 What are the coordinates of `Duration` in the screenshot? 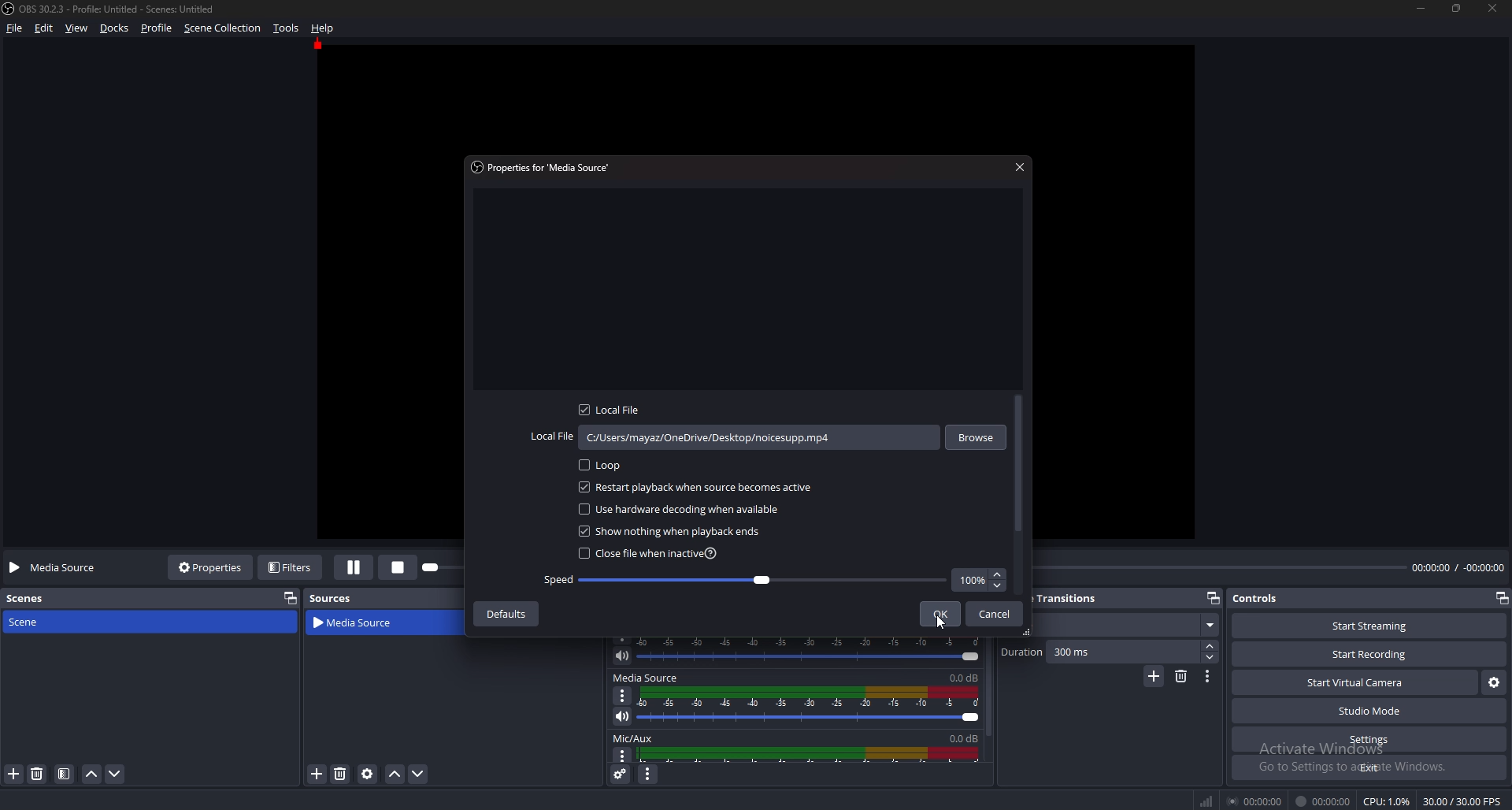 It's located at (1101, 652).